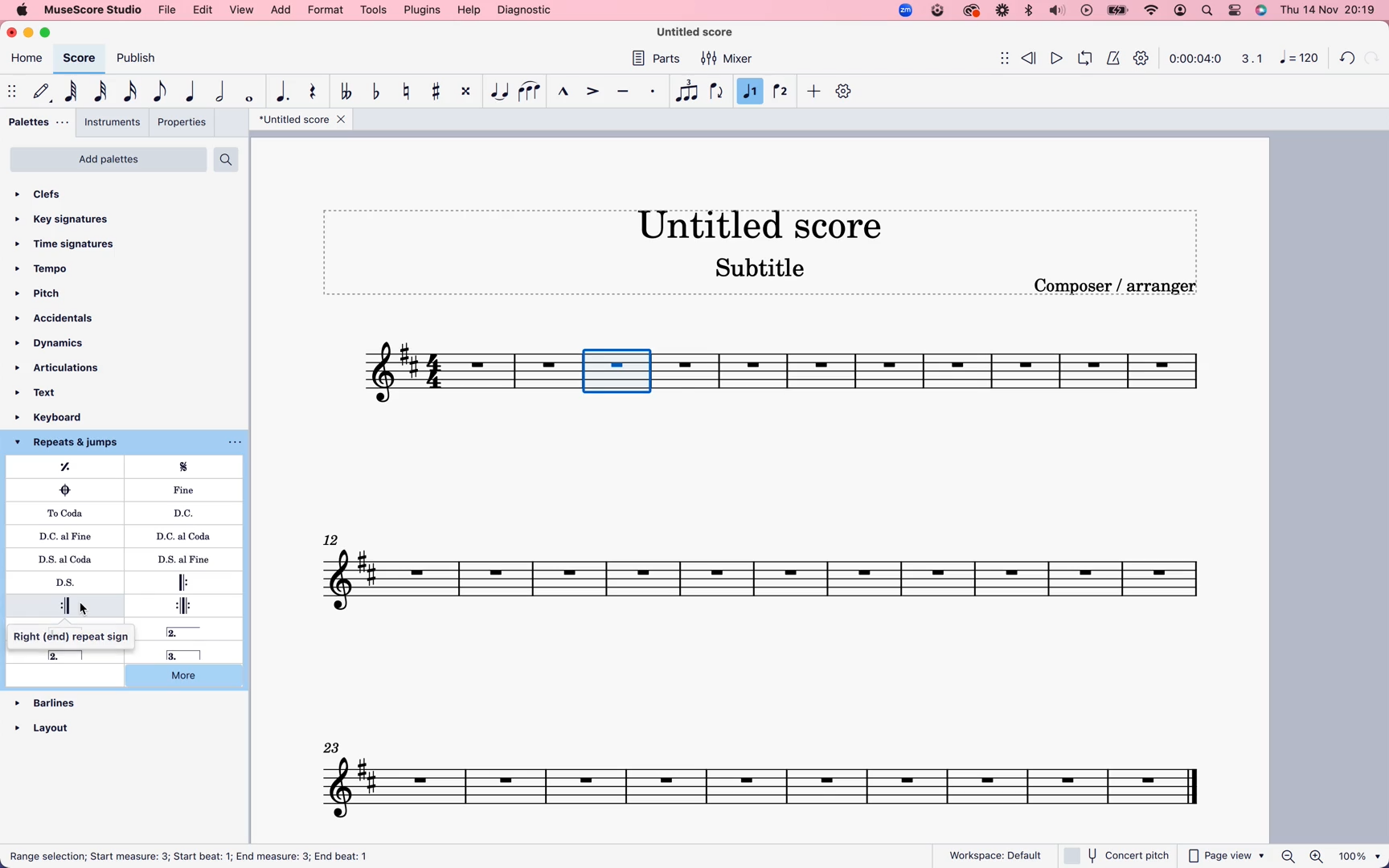  I want to click on search, so click(227, 159).